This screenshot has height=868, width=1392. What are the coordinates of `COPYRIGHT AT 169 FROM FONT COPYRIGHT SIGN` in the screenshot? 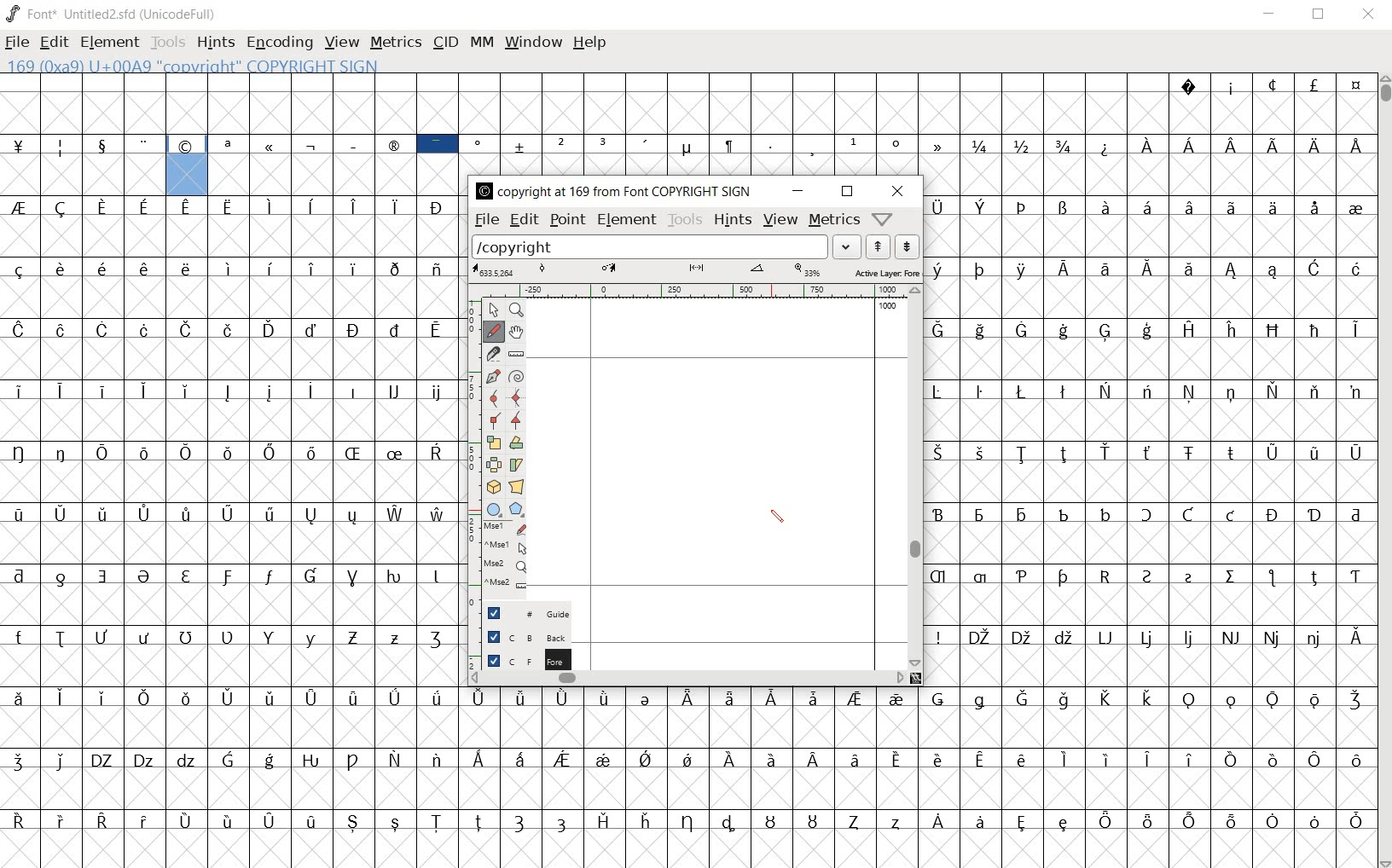 It's located at (612, 192).